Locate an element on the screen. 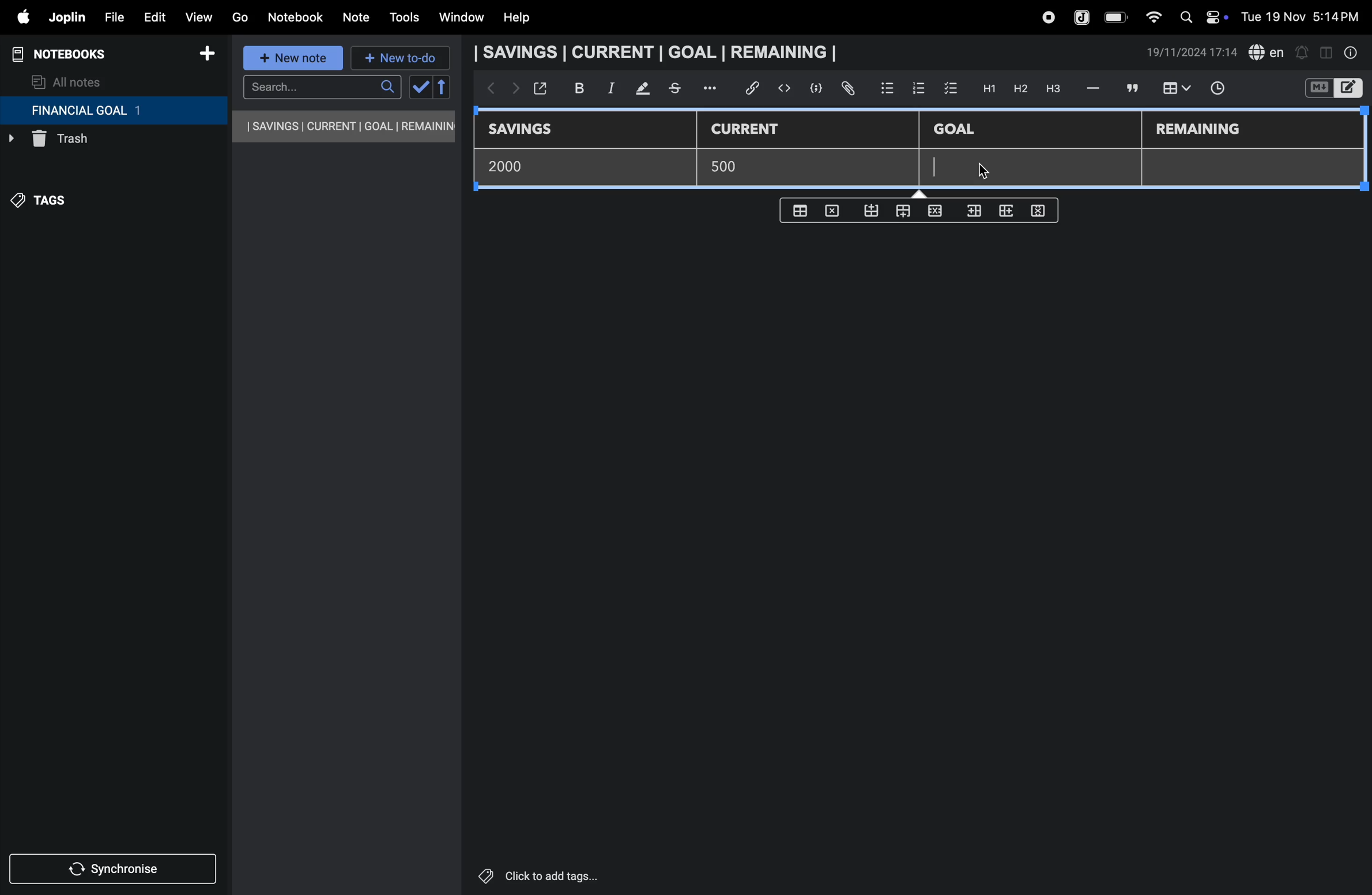 This screenshot has width=1372, height=895. financial goal is located at coordinates (113, 111).